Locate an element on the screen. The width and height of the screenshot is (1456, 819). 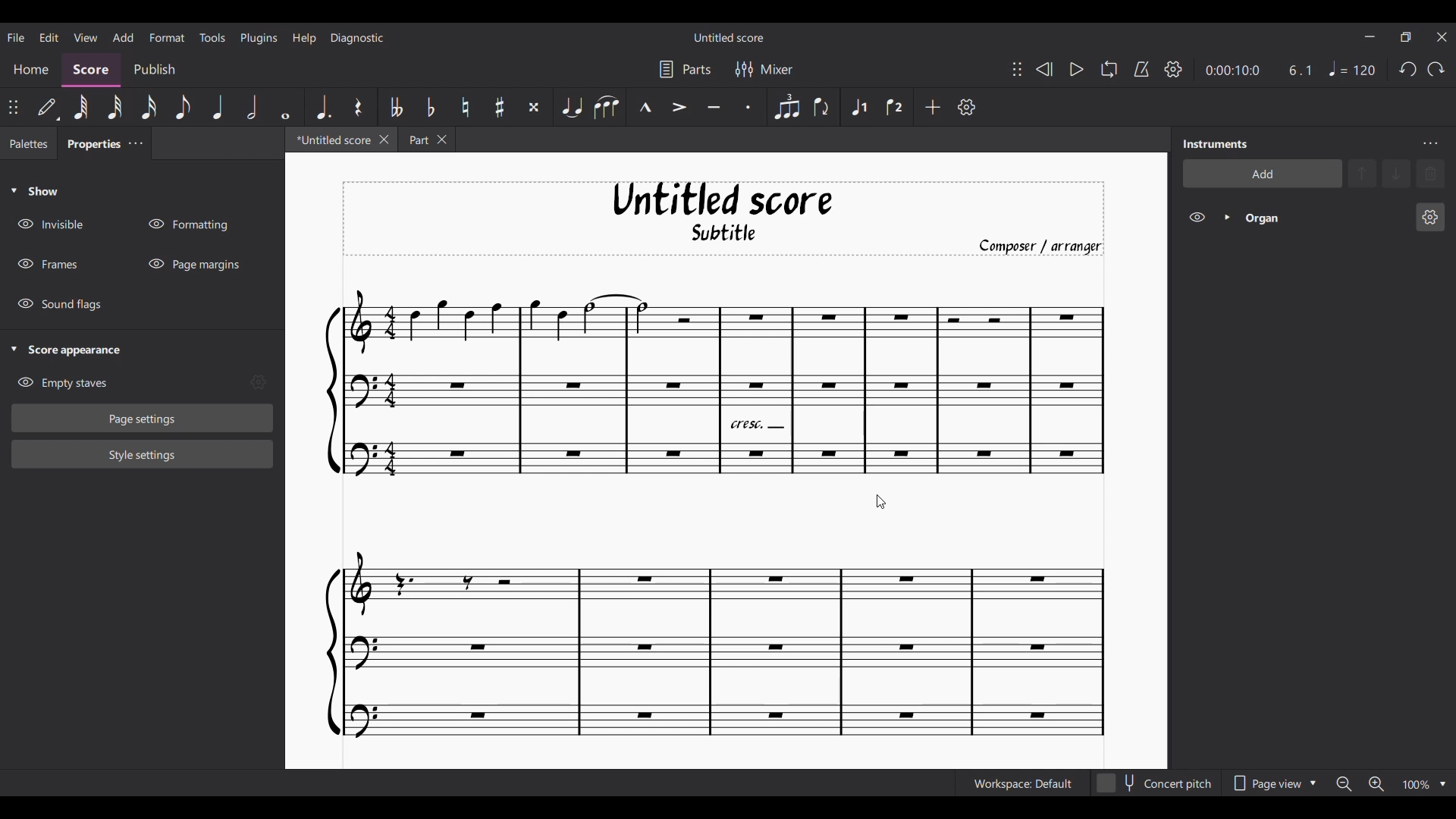
Voice 1 is located at coordinates (858, 106).